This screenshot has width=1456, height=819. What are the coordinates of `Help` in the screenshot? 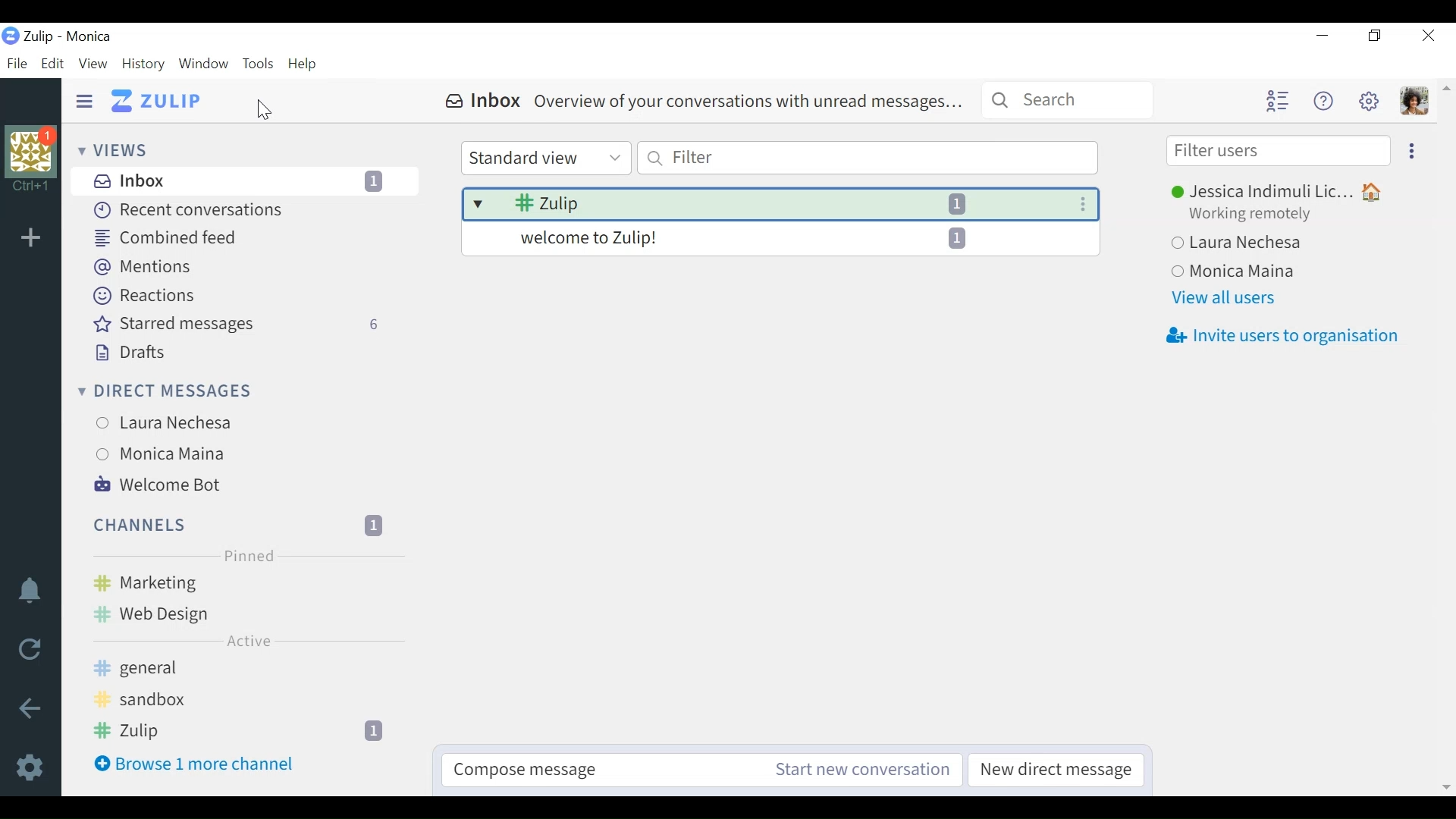 It's located at (303, 63).